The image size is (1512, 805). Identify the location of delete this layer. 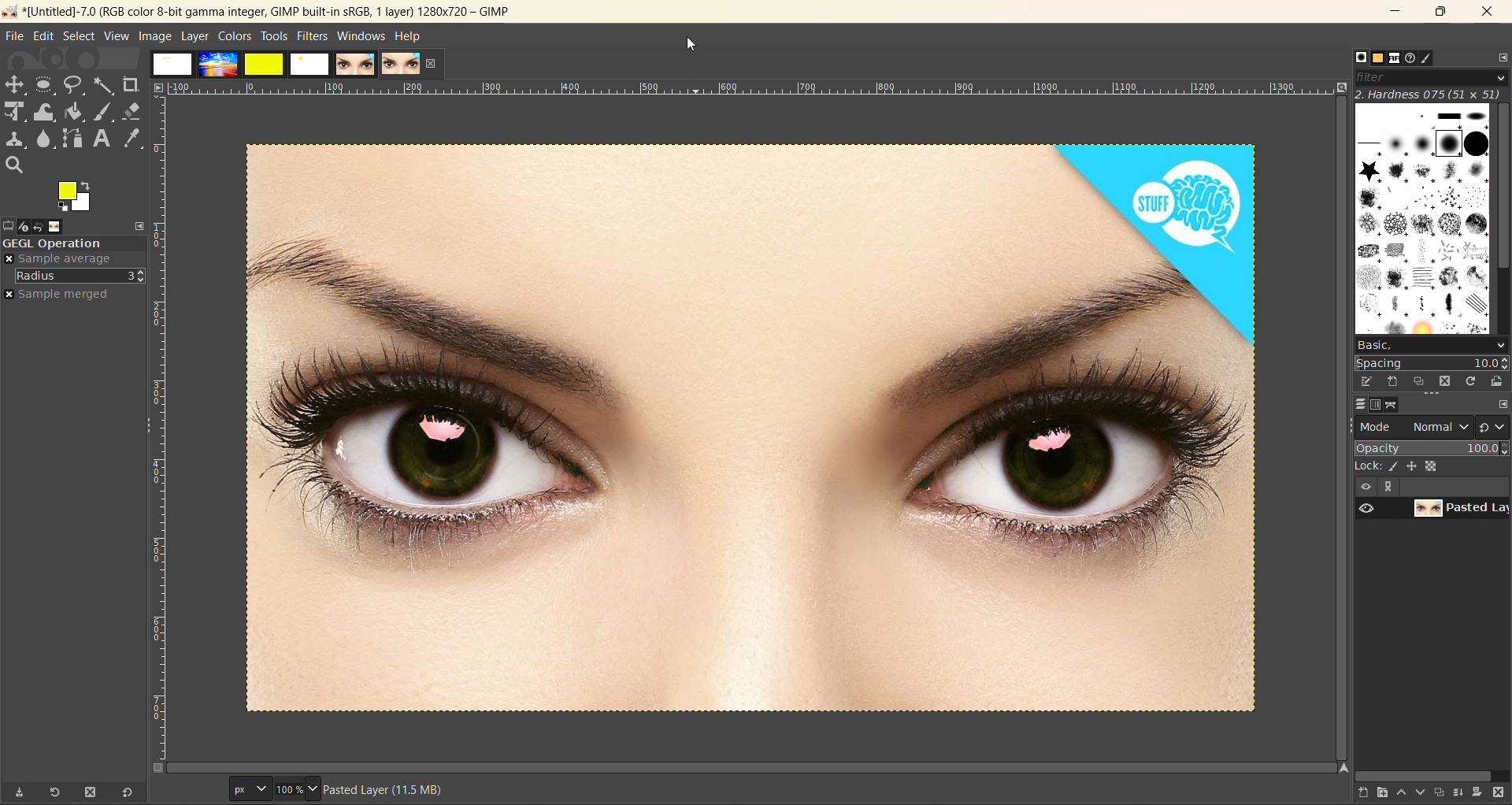
(1503, 796).